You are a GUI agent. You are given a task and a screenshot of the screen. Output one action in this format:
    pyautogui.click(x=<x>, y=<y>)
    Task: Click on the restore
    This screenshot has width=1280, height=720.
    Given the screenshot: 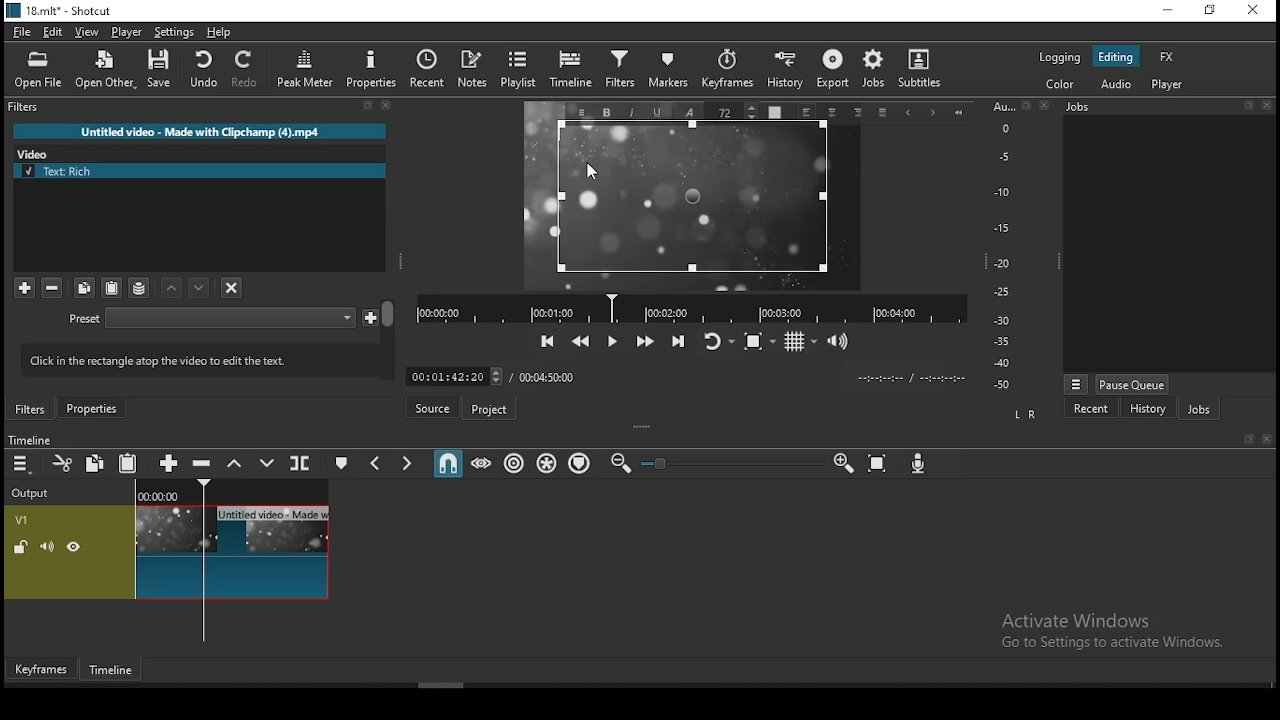 What is the action you would take?
    pyautogui.click(x=1212, y=9)
    